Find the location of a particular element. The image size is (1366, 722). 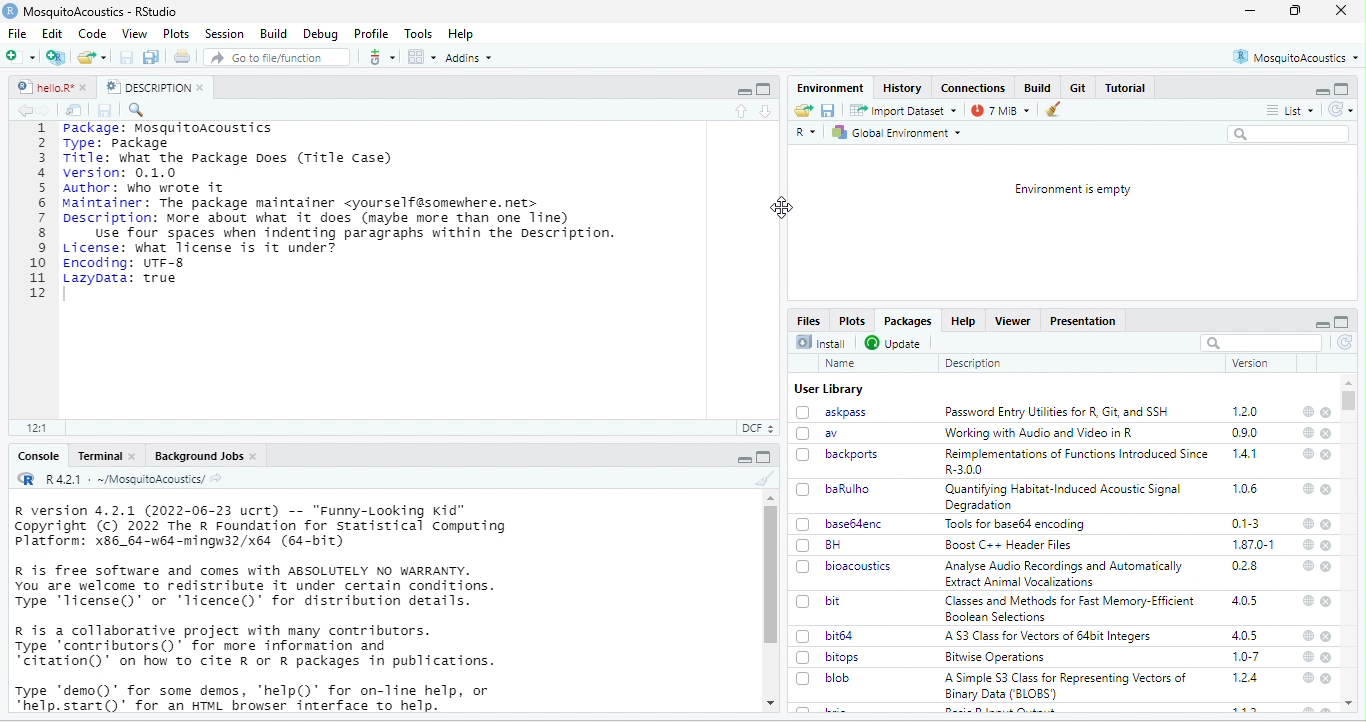

bit is located at coordinates (820, 600).